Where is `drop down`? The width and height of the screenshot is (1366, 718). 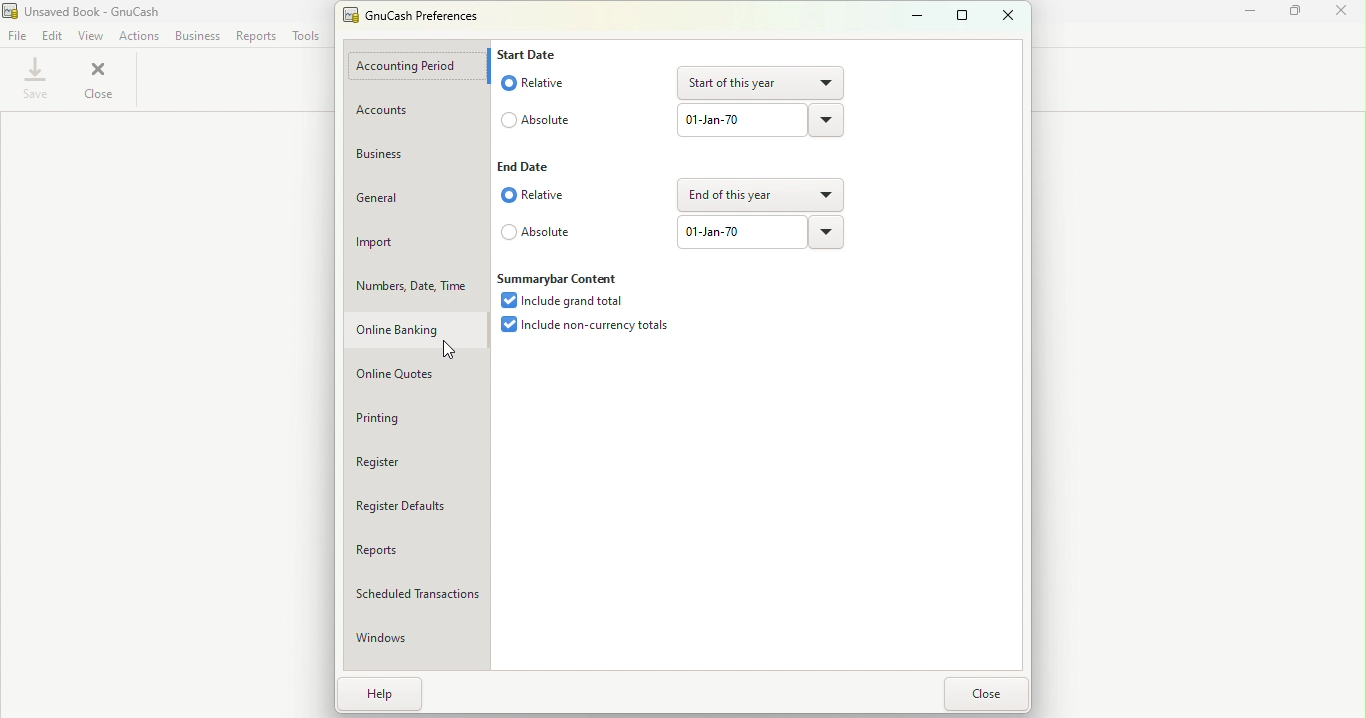 drop down is located at coordinates (824, 122).